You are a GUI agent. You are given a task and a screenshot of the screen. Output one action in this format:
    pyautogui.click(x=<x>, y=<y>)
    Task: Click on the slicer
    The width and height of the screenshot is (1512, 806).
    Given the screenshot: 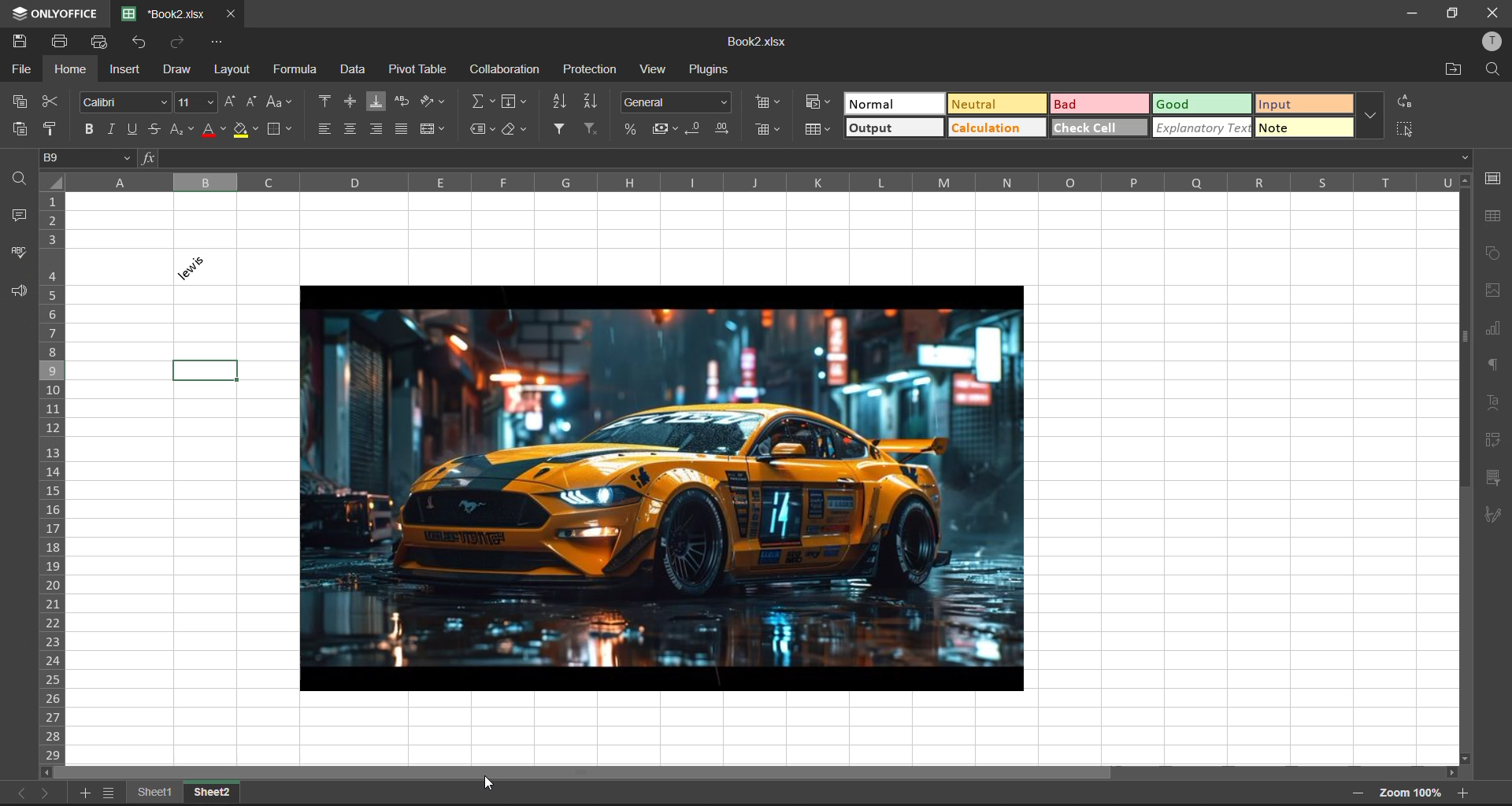 What is the action you would take?
    pyautogui.click(x=1495, y=478)
    